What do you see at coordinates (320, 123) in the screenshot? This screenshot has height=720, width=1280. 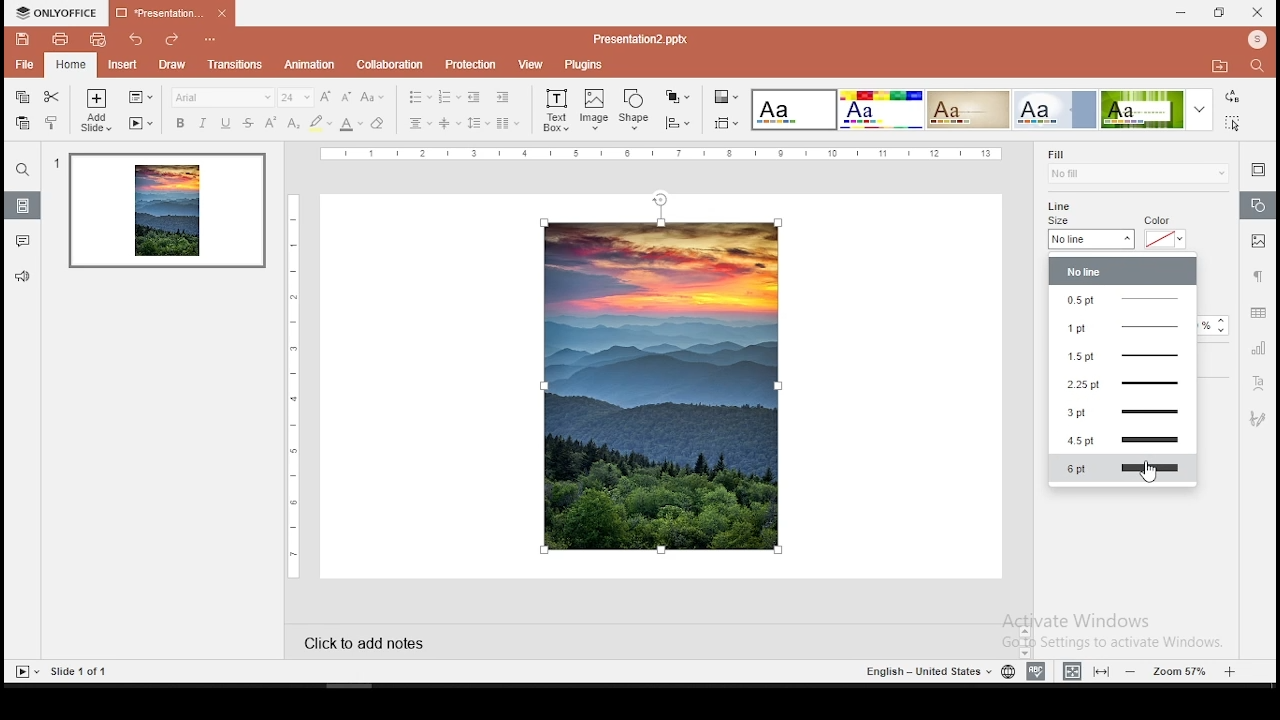 I see `highlight` at bounding box center [320, 123].